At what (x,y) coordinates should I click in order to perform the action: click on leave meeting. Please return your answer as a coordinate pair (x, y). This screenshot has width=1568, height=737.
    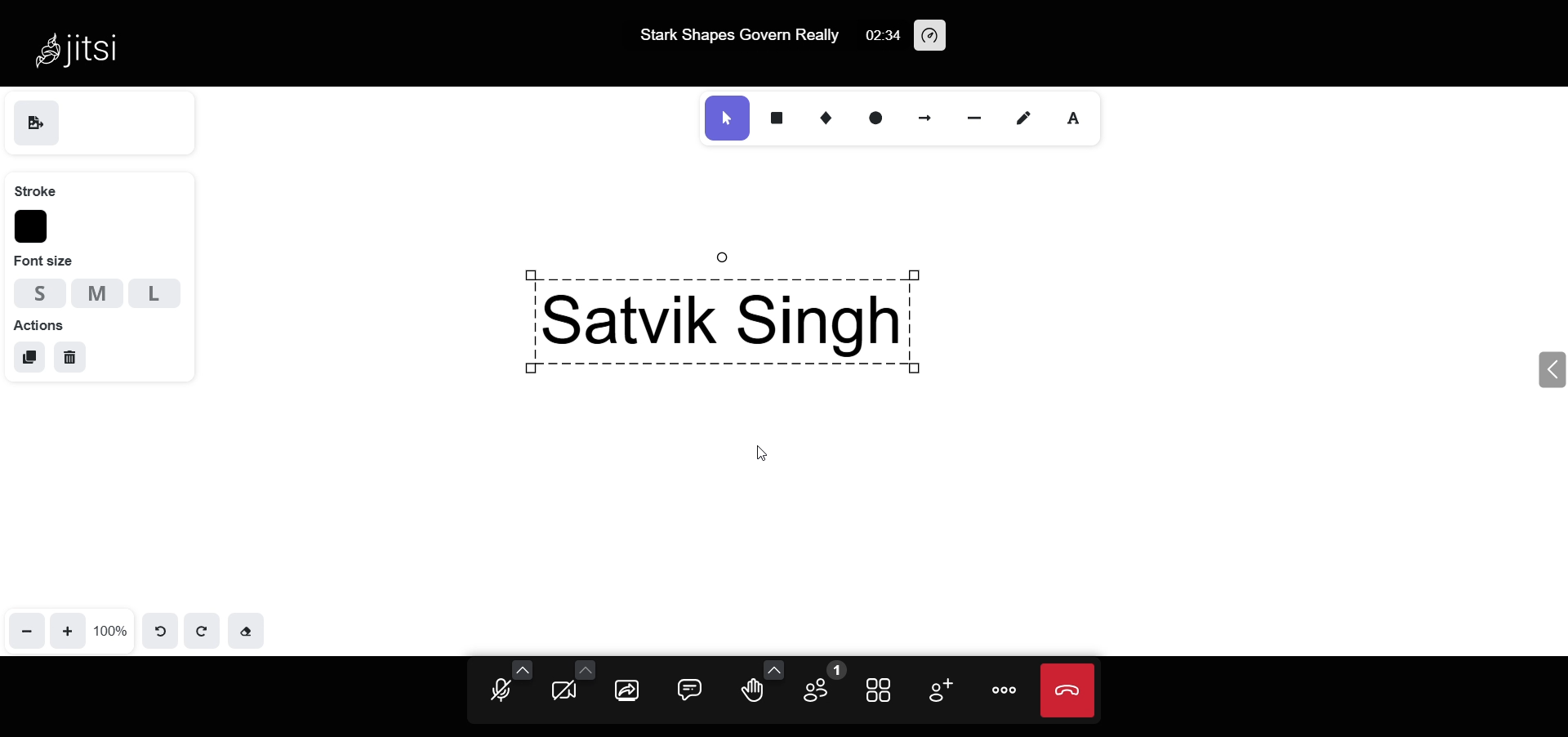
    Looking at the image, I should click on (1067, 690).